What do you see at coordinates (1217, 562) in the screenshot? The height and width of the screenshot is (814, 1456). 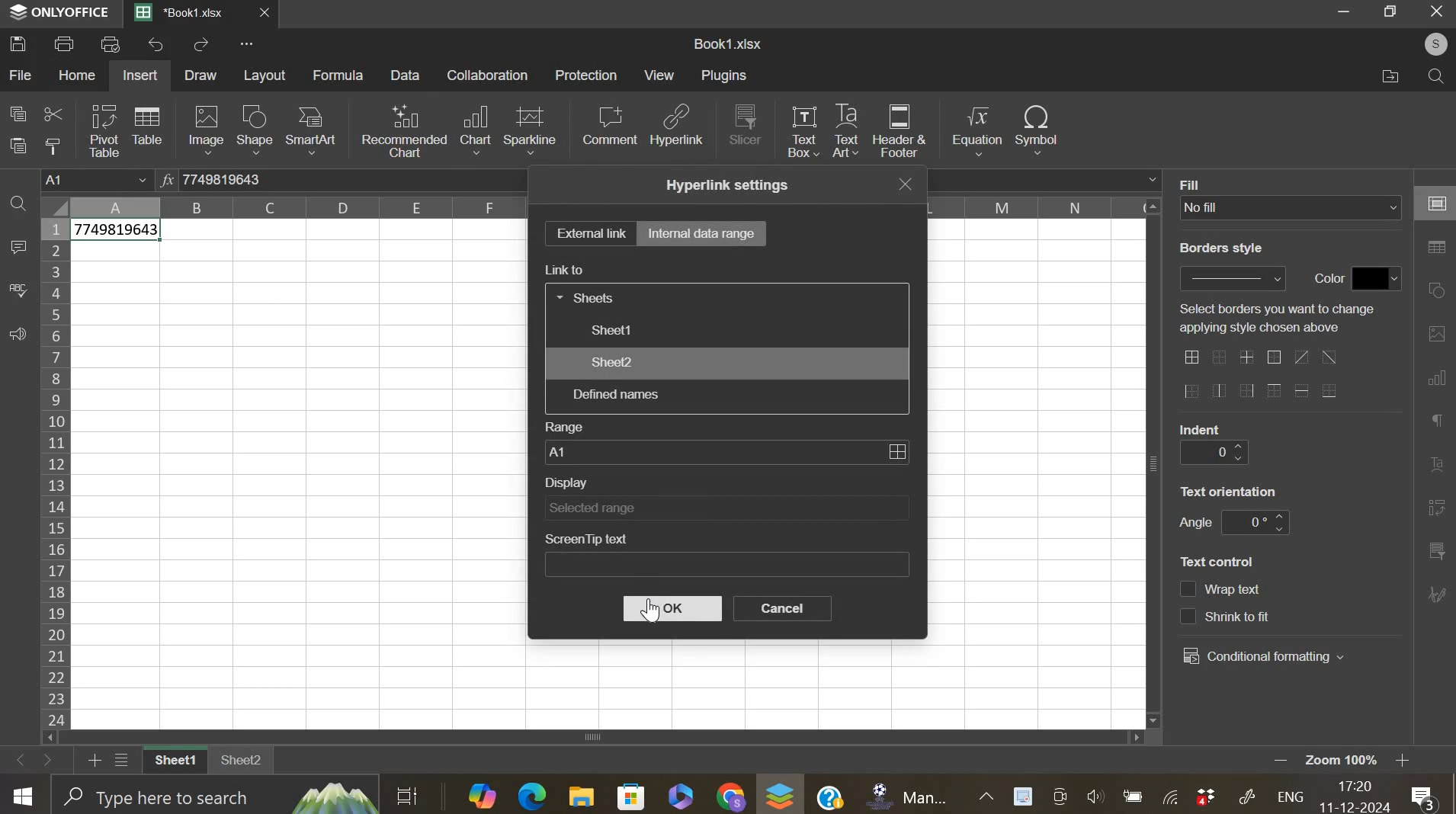 I see `text` at bounding box center [1217, 562].